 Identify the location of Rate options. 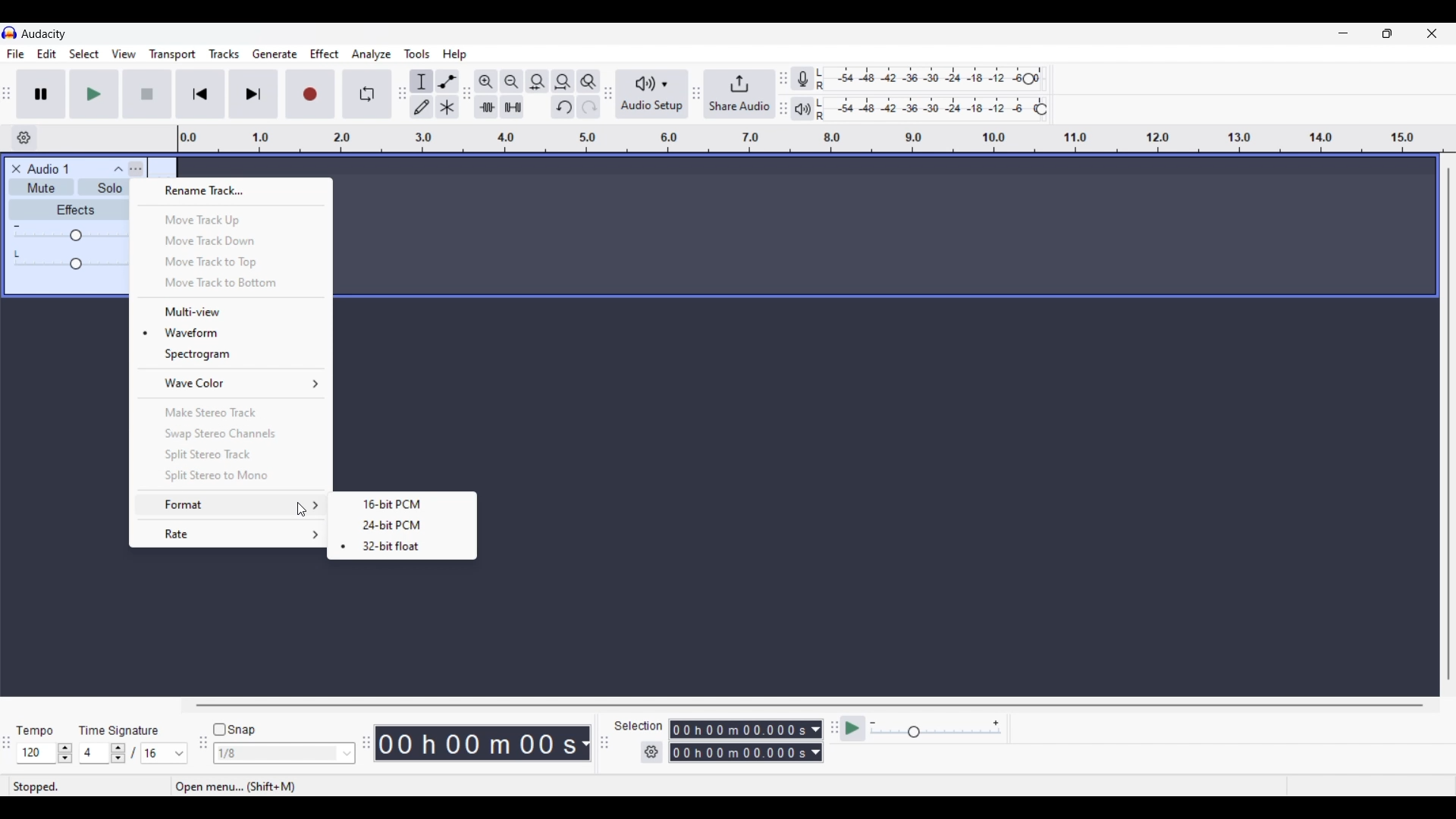
(231, 534).